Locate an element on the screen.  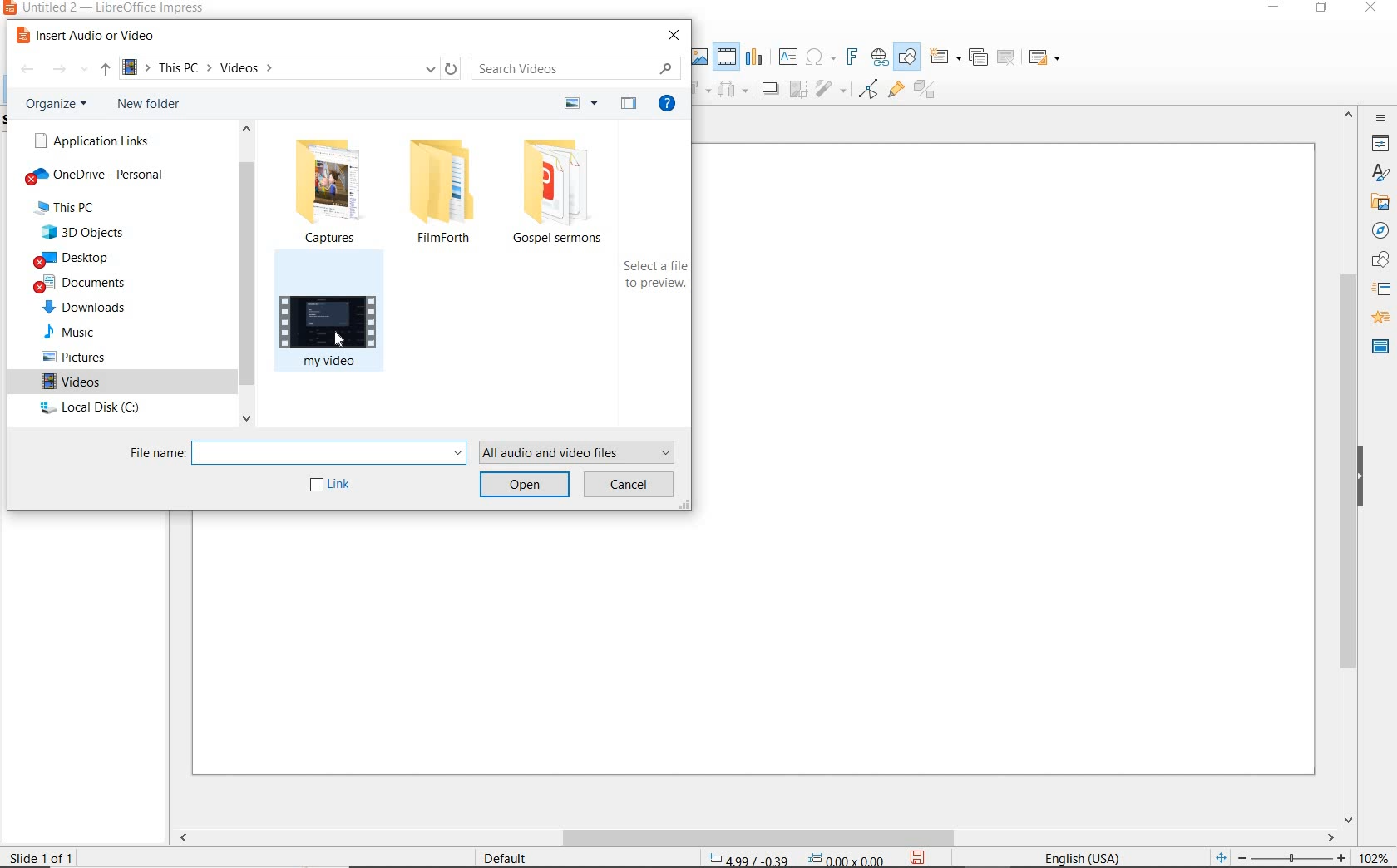
music is located at coordinates (68, 329).